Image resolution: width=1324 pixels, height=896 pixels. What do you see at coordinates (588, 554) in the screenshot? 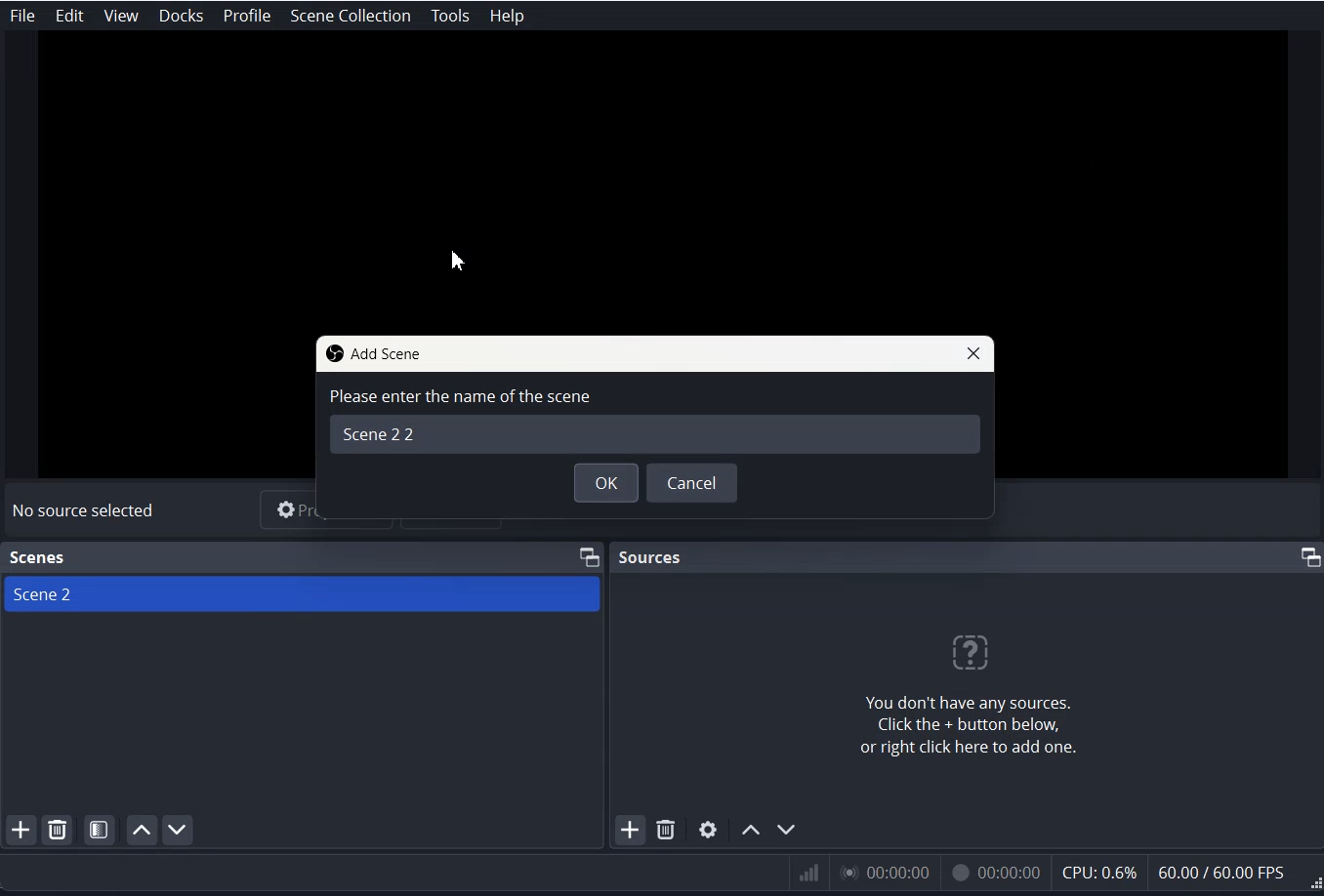
I see `Maximize` at bounding box center [588, 554].